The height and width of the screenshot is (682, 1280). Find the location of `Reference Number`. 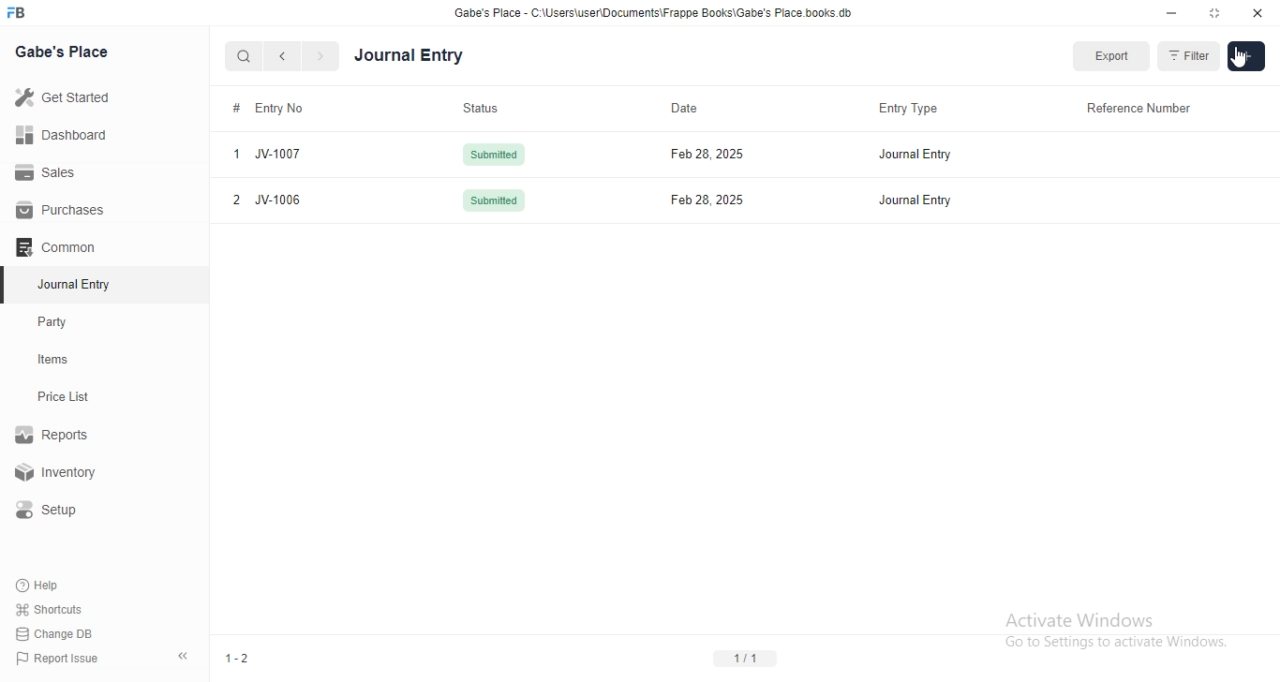

Reference Number is located at coordinates (1141, 108).